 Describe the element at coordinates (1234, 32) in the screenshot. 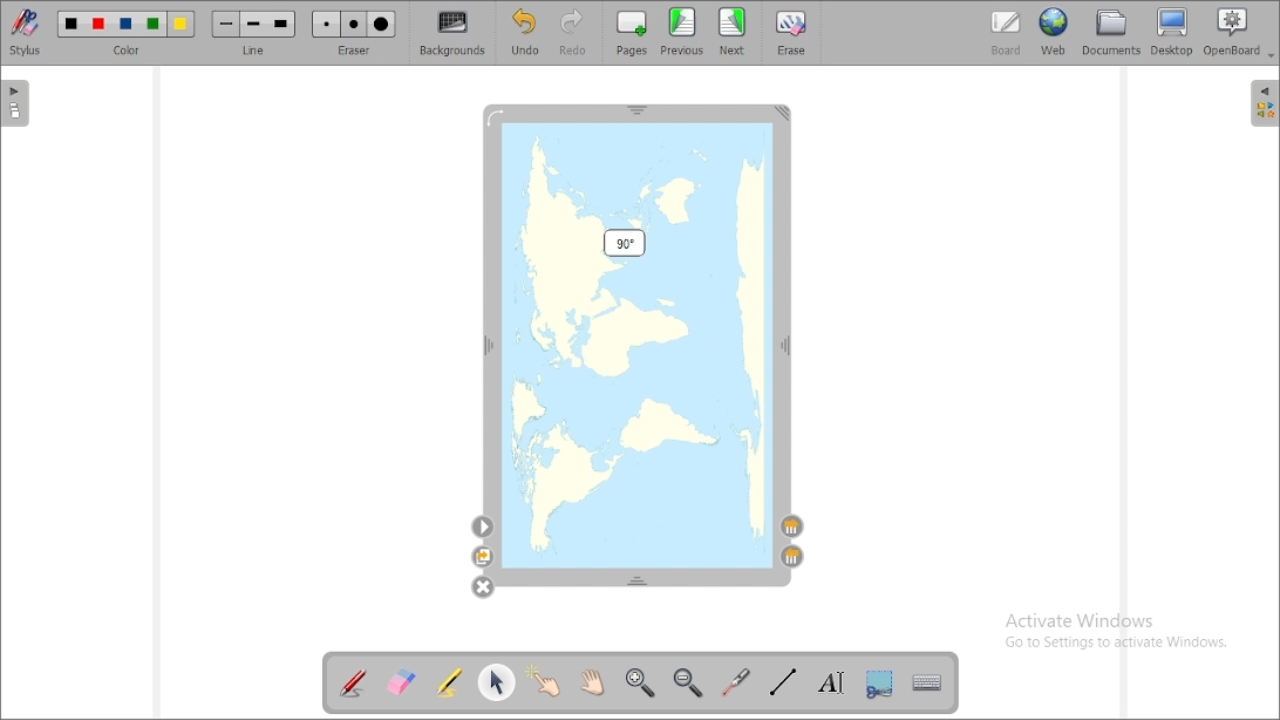

I see `openboard` at that location.